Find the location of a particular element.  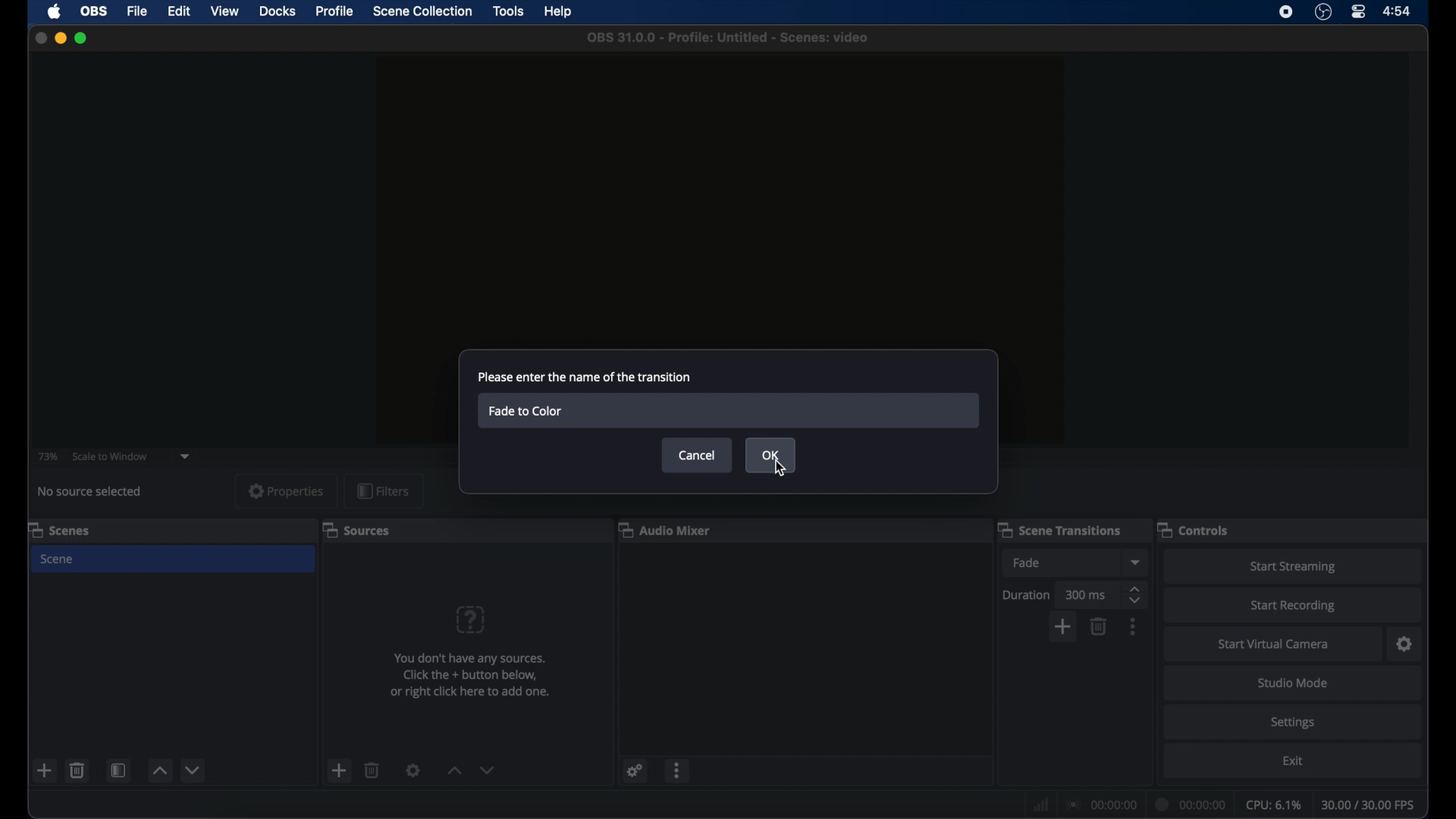

scenes is located at coordinates (58, 529).